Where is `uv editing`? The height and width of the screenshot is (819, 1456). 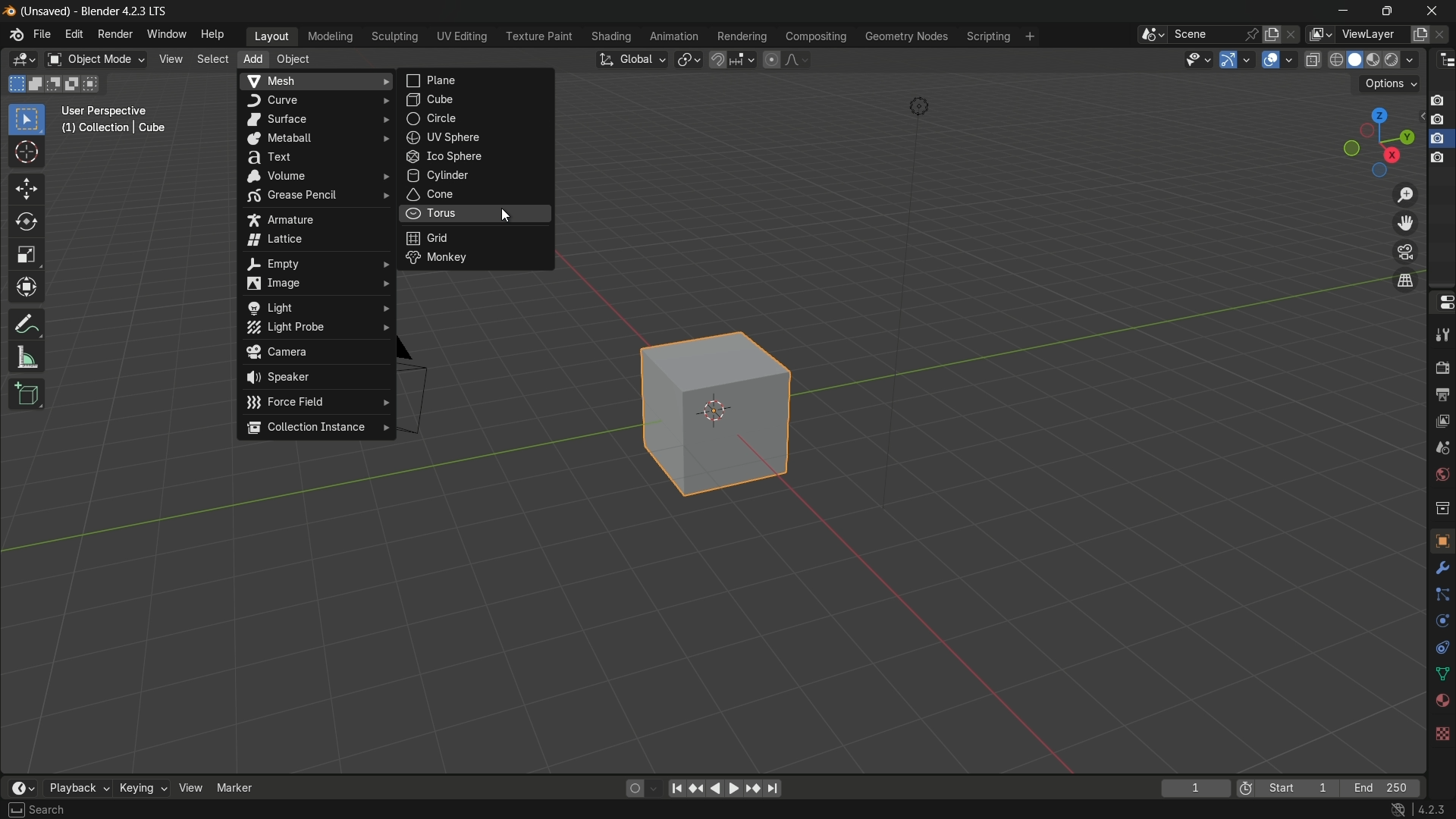
uv editing is located at coordinates (461, 36).